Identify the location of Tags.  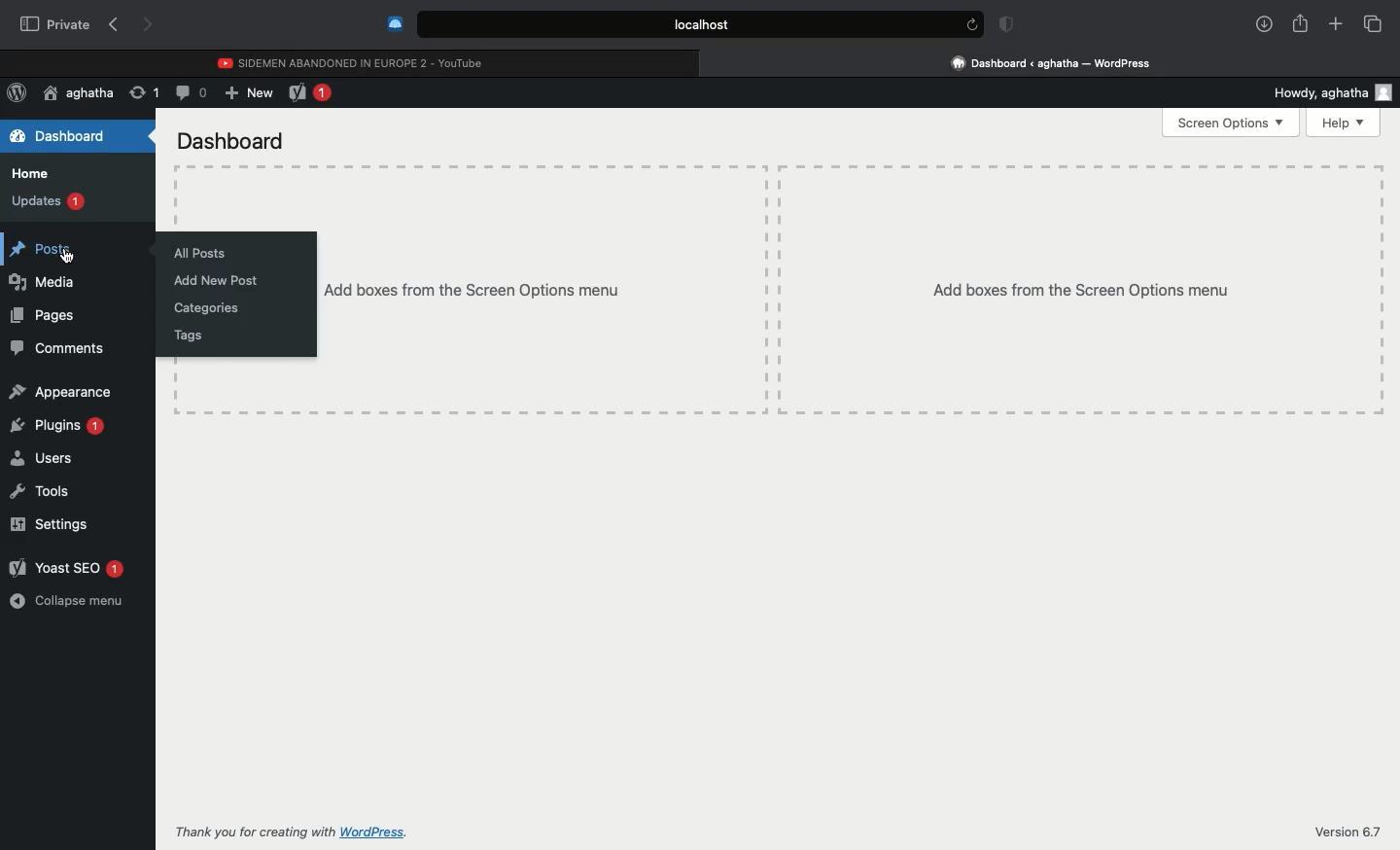
(189, 335).